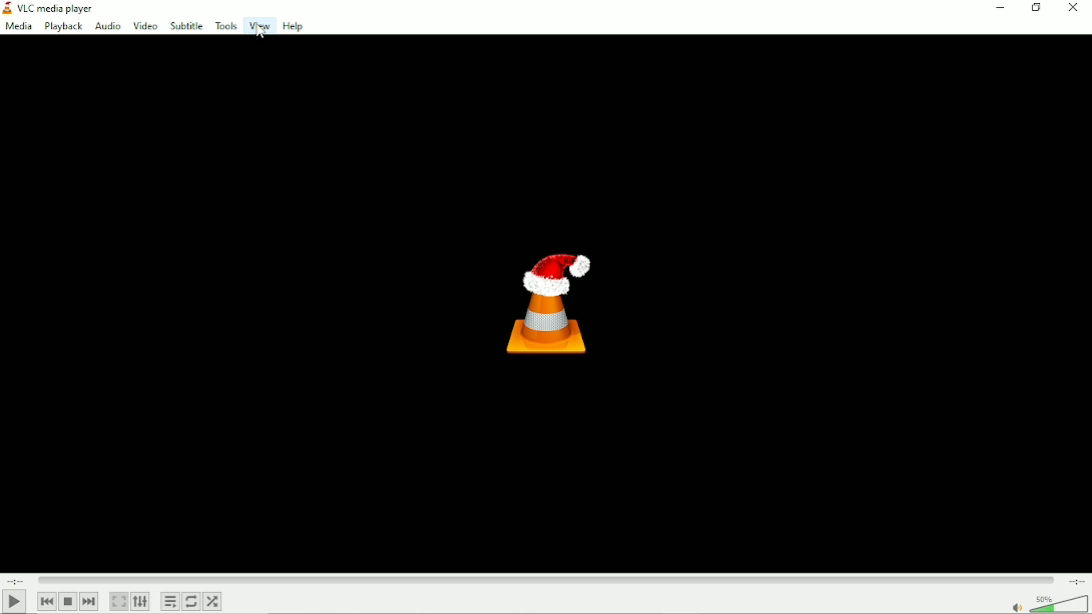 Image resolution: width=1092 pixels, height=614 pixels. What do you see at coordinates (186, 24) in the screenshot?
I see `Subtitle` at bounding box center [186, 24].